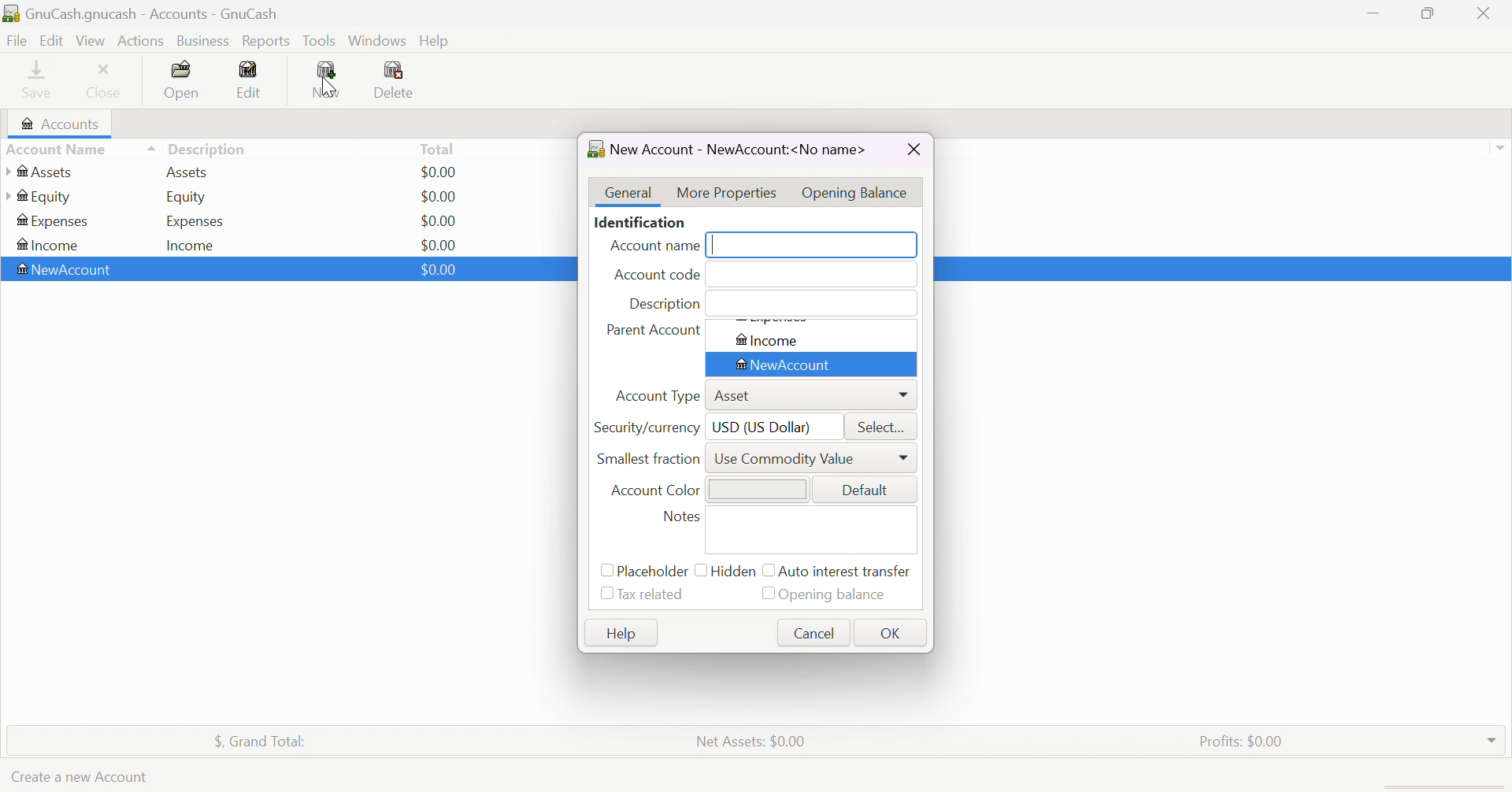 The width and height of the screenshot is (1512, 792). What do you see at coordinates (395, 81) in the screenshot?
I see `Delete` at bounding box center [395, 81].